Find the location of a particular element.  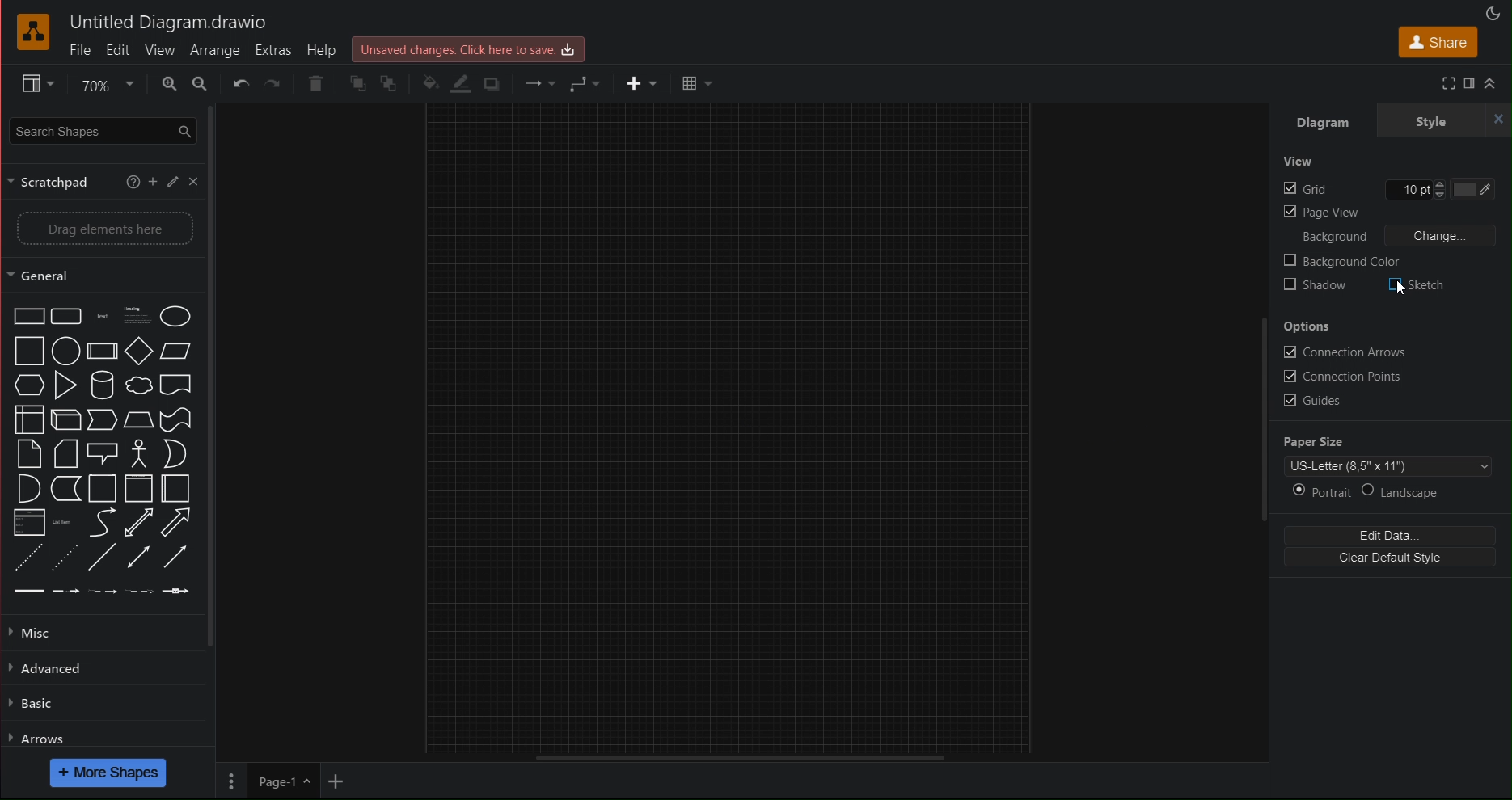

Edit is located at coordinates (121, 52).